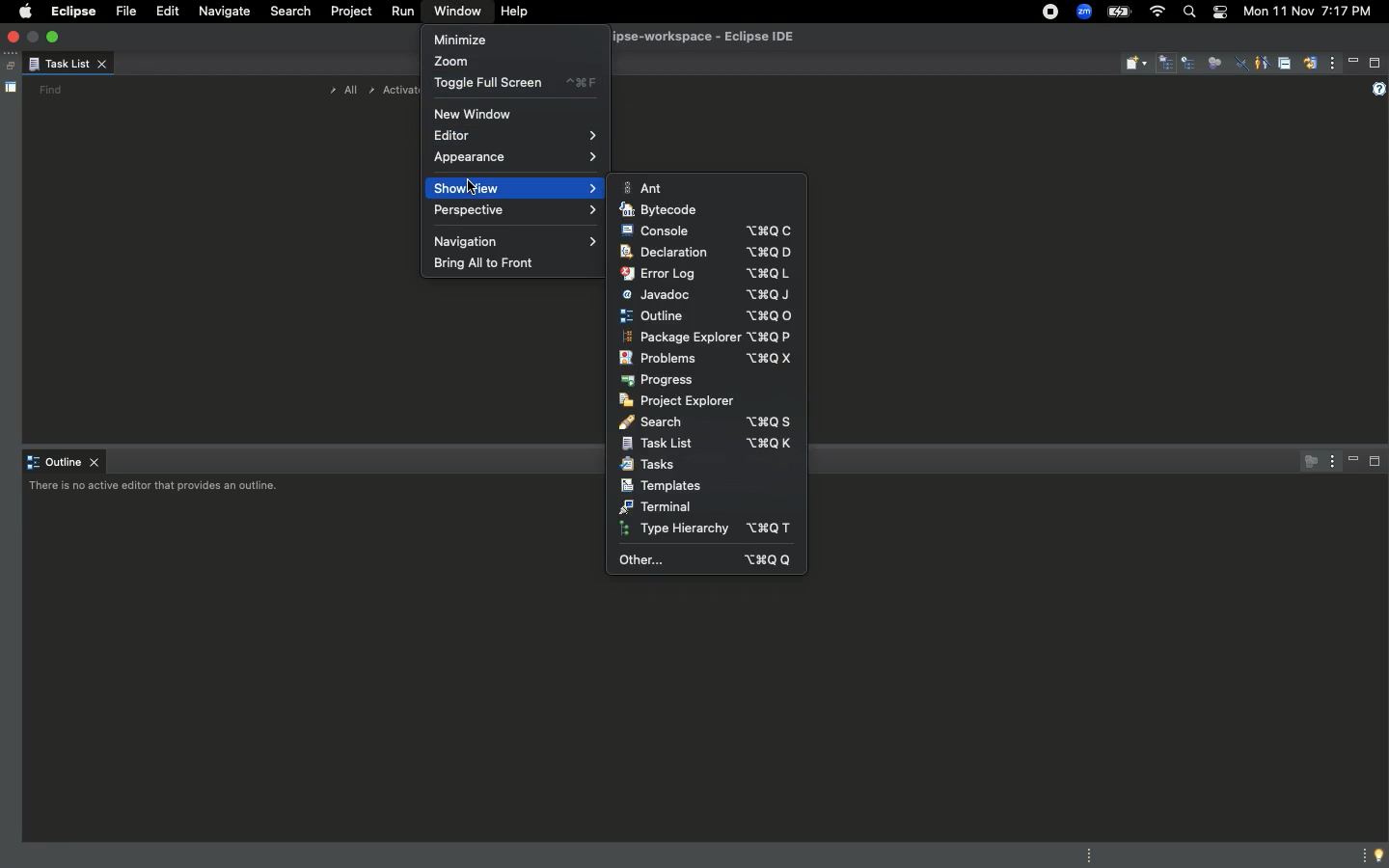  What do you see at coordinates (394, 90) in the screenshot?
I see `Activate` at bounding box center [394, 90].